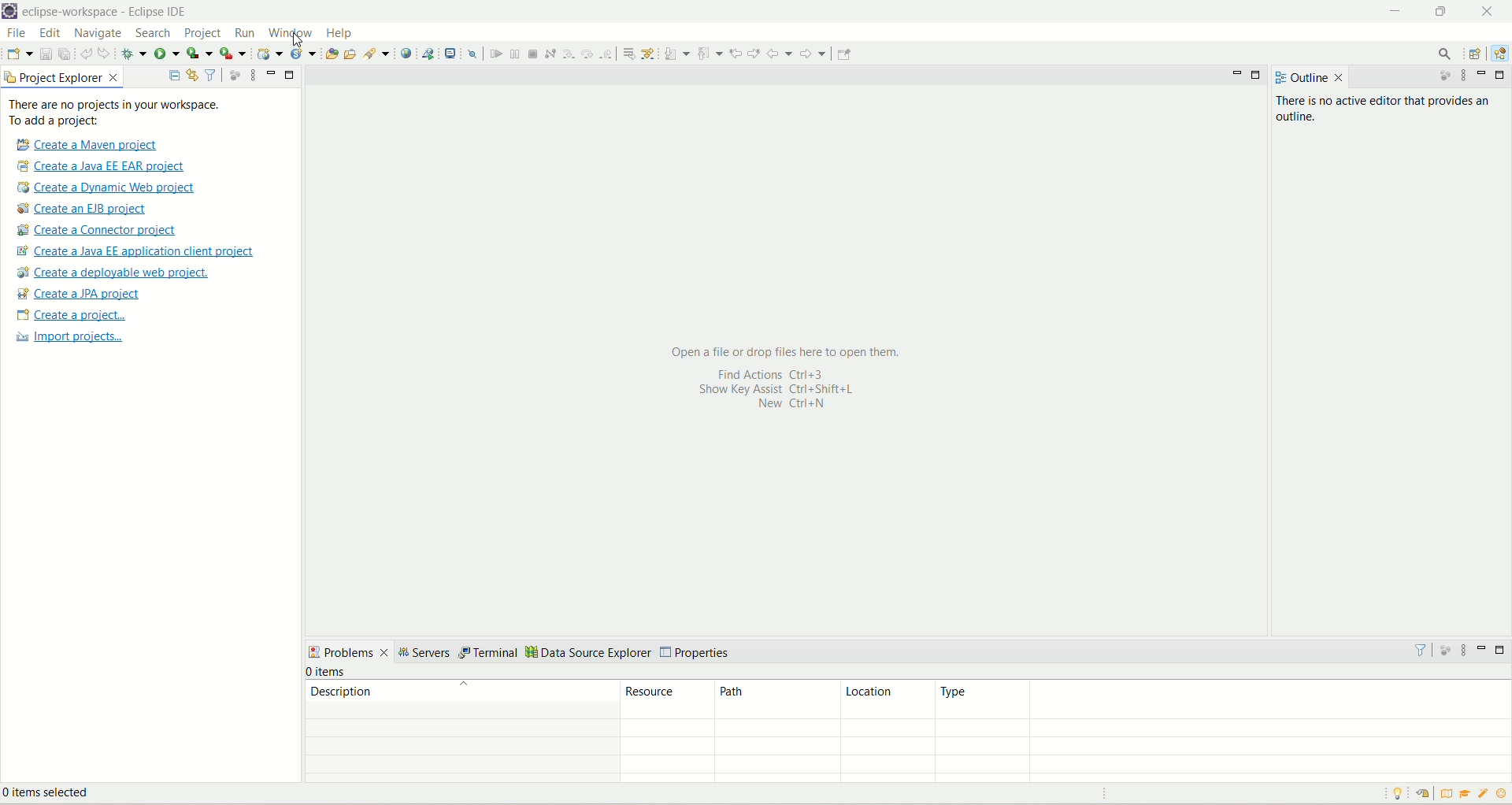  What do you see at coordinates (212, 74) in the screenshot?
I see `select and deselect filters` at bounding box center [212, 74].